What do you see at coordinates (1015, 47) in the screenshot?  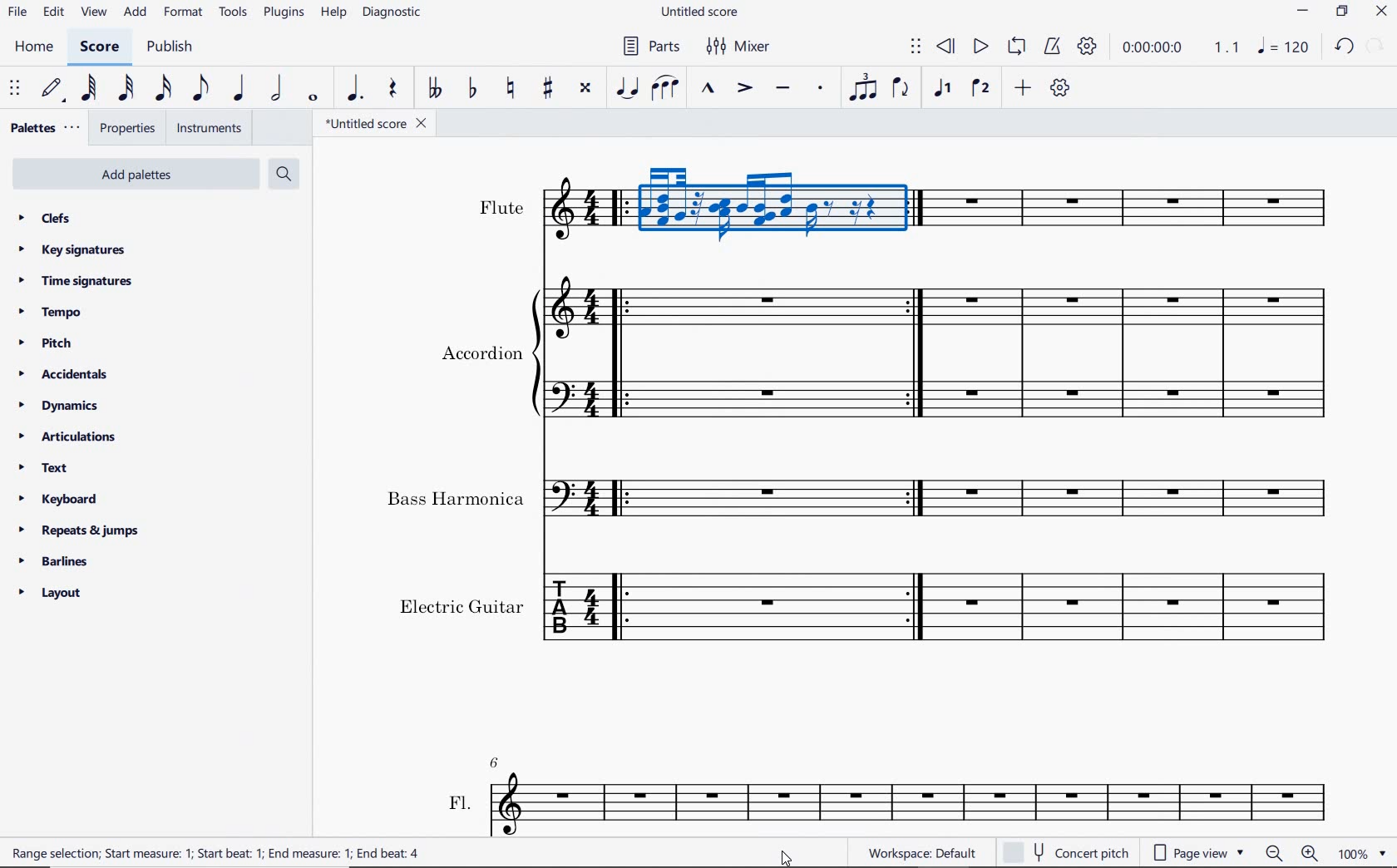 I see `loop playback` at bounding box center [1015, 47].